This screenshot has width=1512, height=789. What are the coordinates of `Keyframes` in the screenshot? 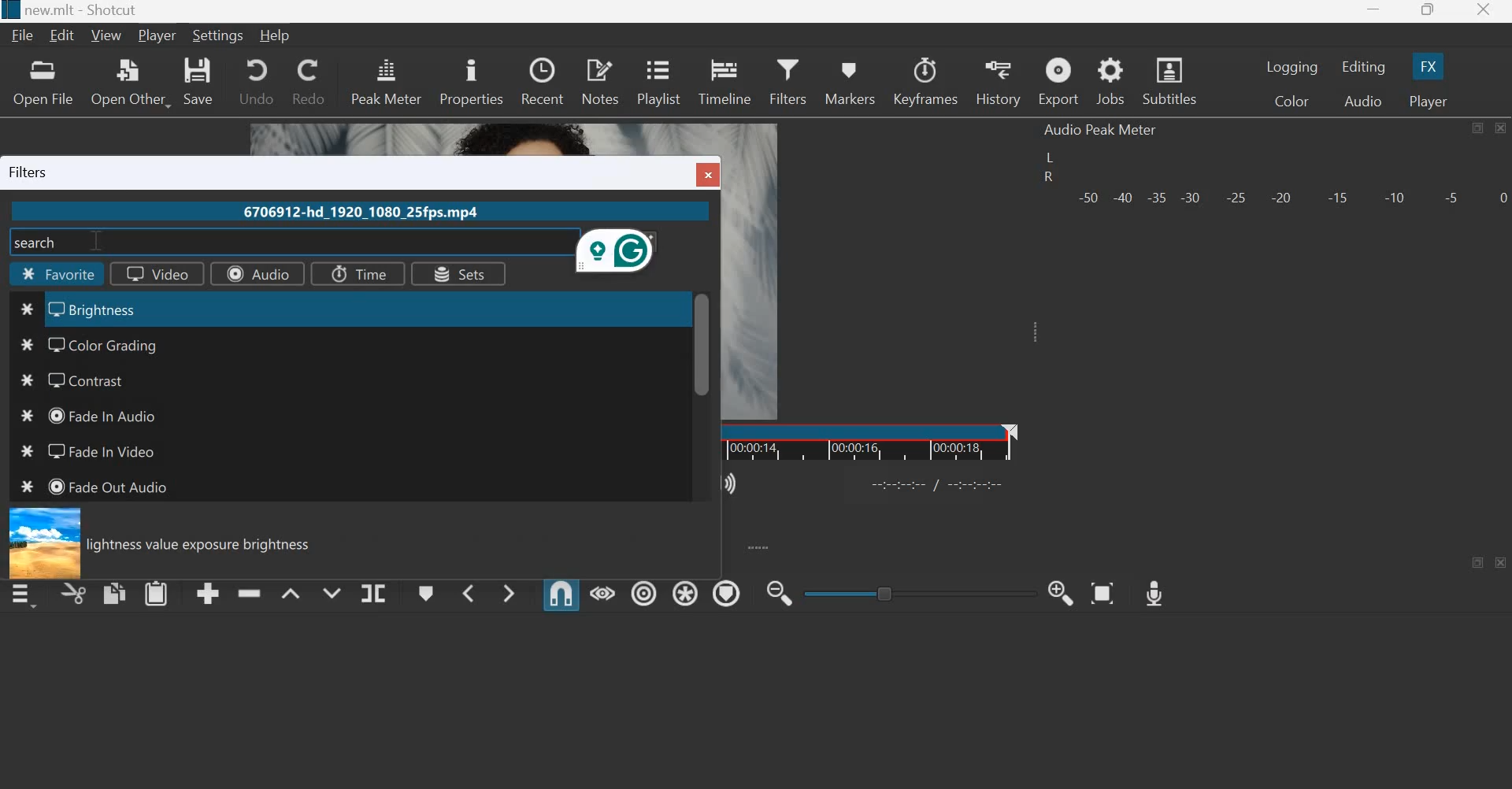 It's located at (926, 81).